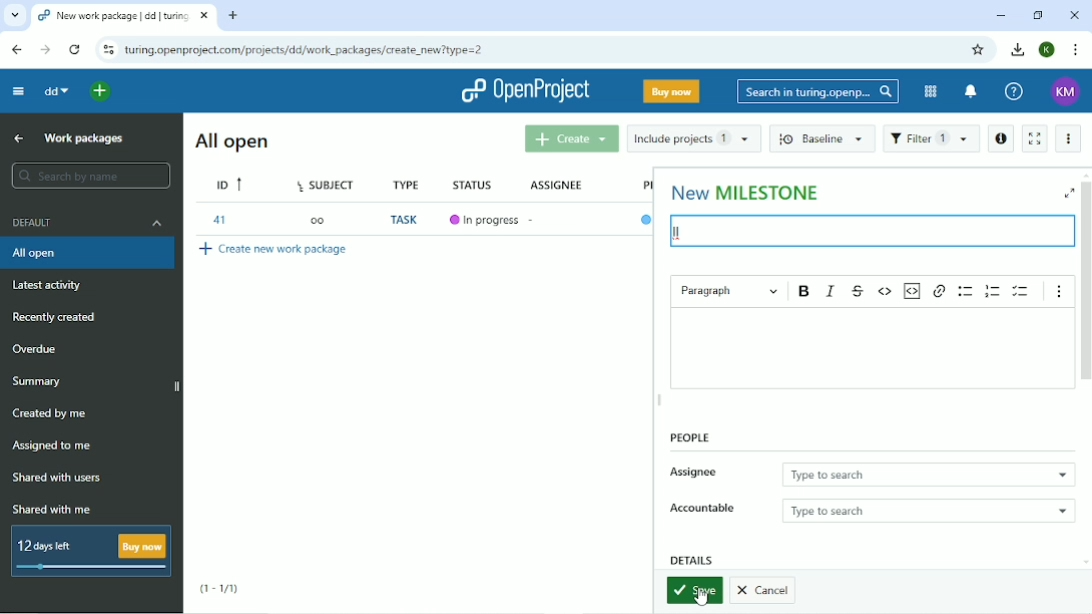 The height and width of the screenshot is (614, 1092). What do you see at coordinates (317, 219) in the screenshot?
I see `oo` at bounding box center [317, 219].